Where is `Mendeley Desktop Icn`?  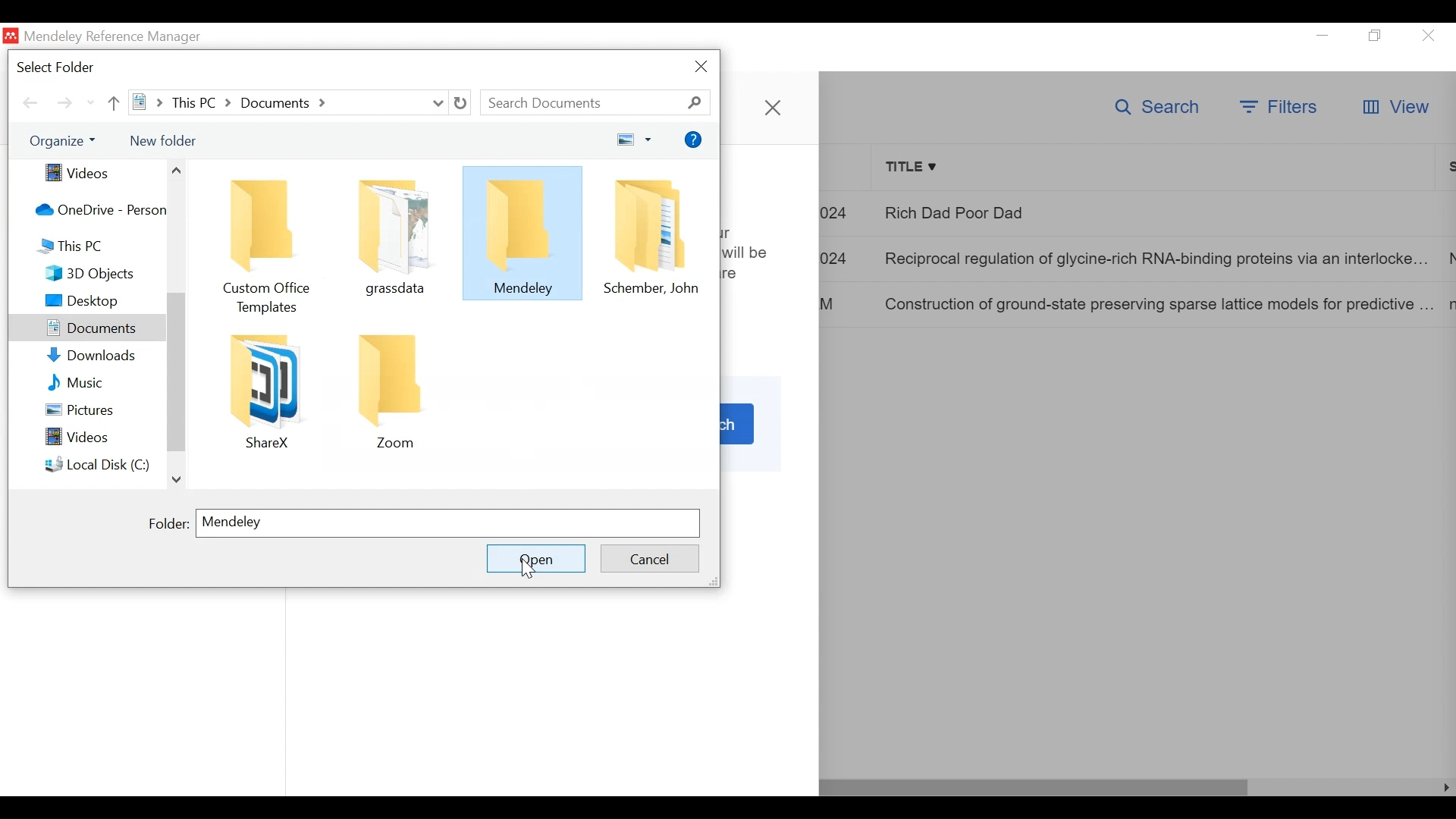
Mendeley Desktop Icn is located at coordinates (10, 35).